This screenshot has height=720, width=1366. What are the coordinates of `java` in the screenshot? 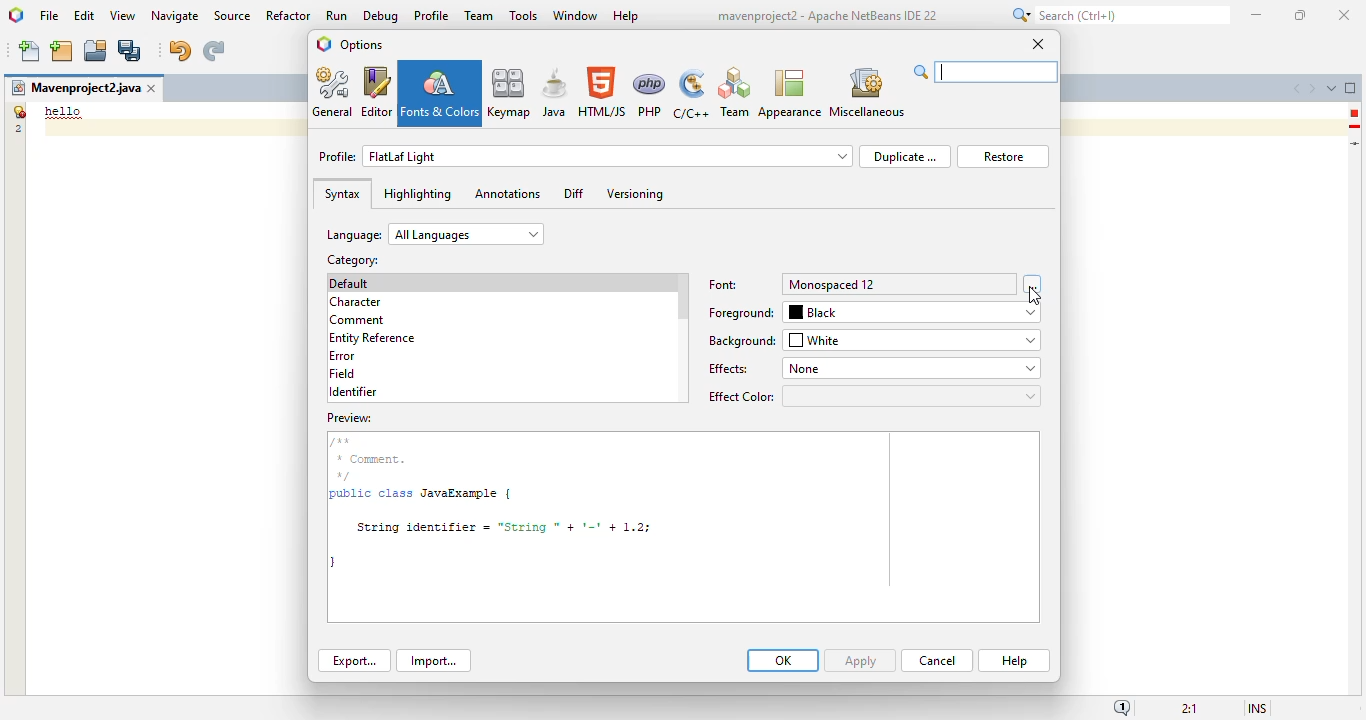 It's located at (555, 92).